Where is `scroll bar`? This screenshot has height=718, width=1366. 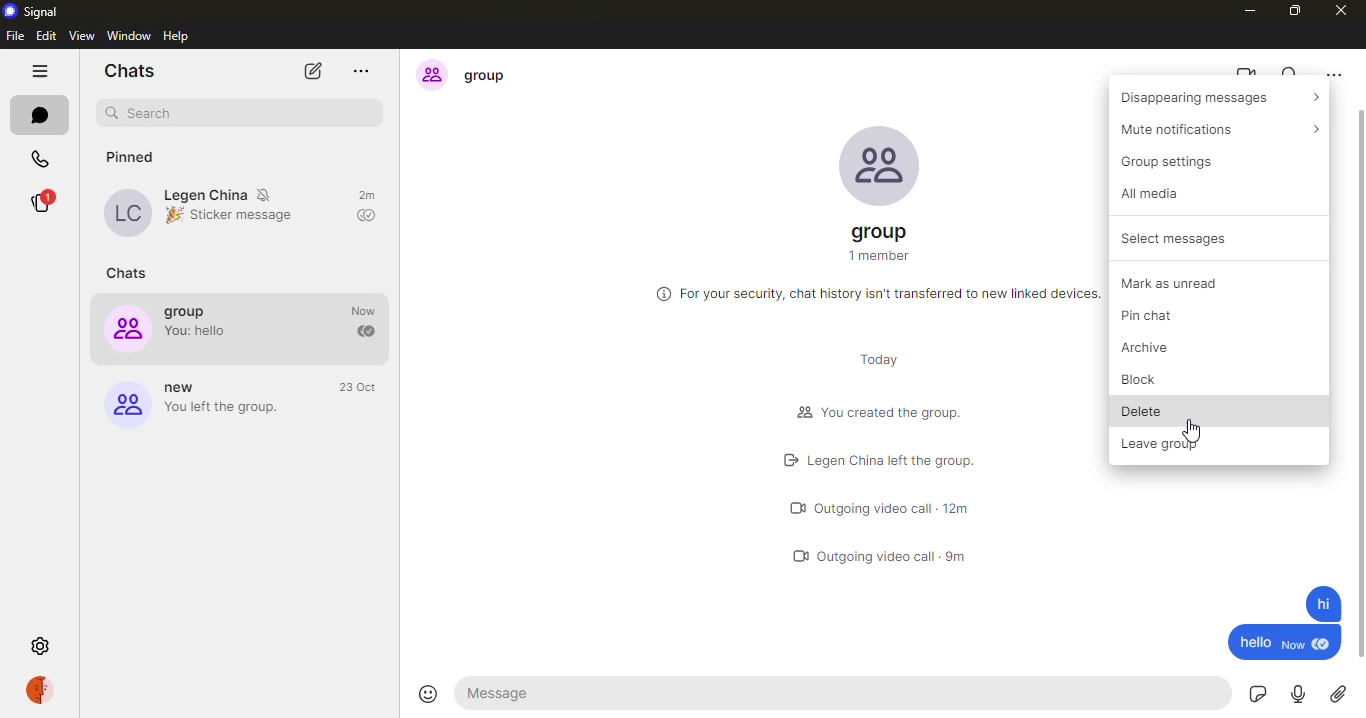
scroll bar is located at coordinates (1357, 383).